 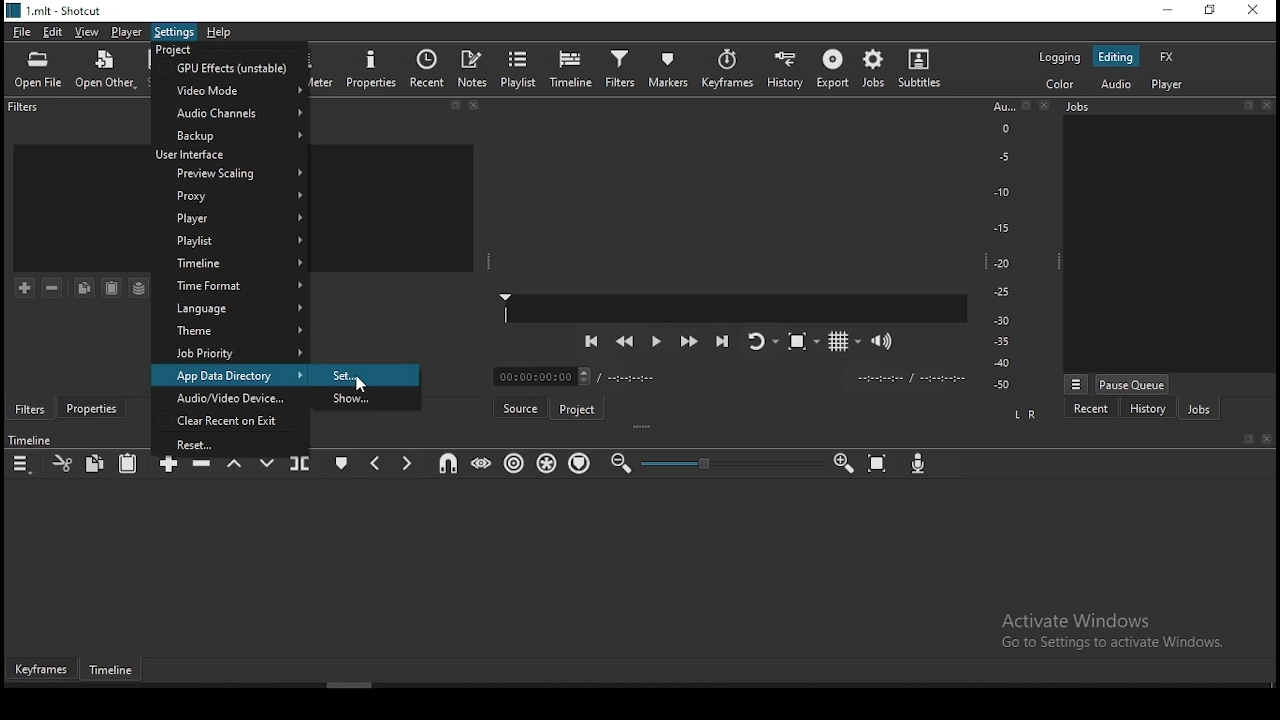 What do you see at coordinates (521, 68) in the screenshot?
I see `playlist` at bounding box center [521, 68].